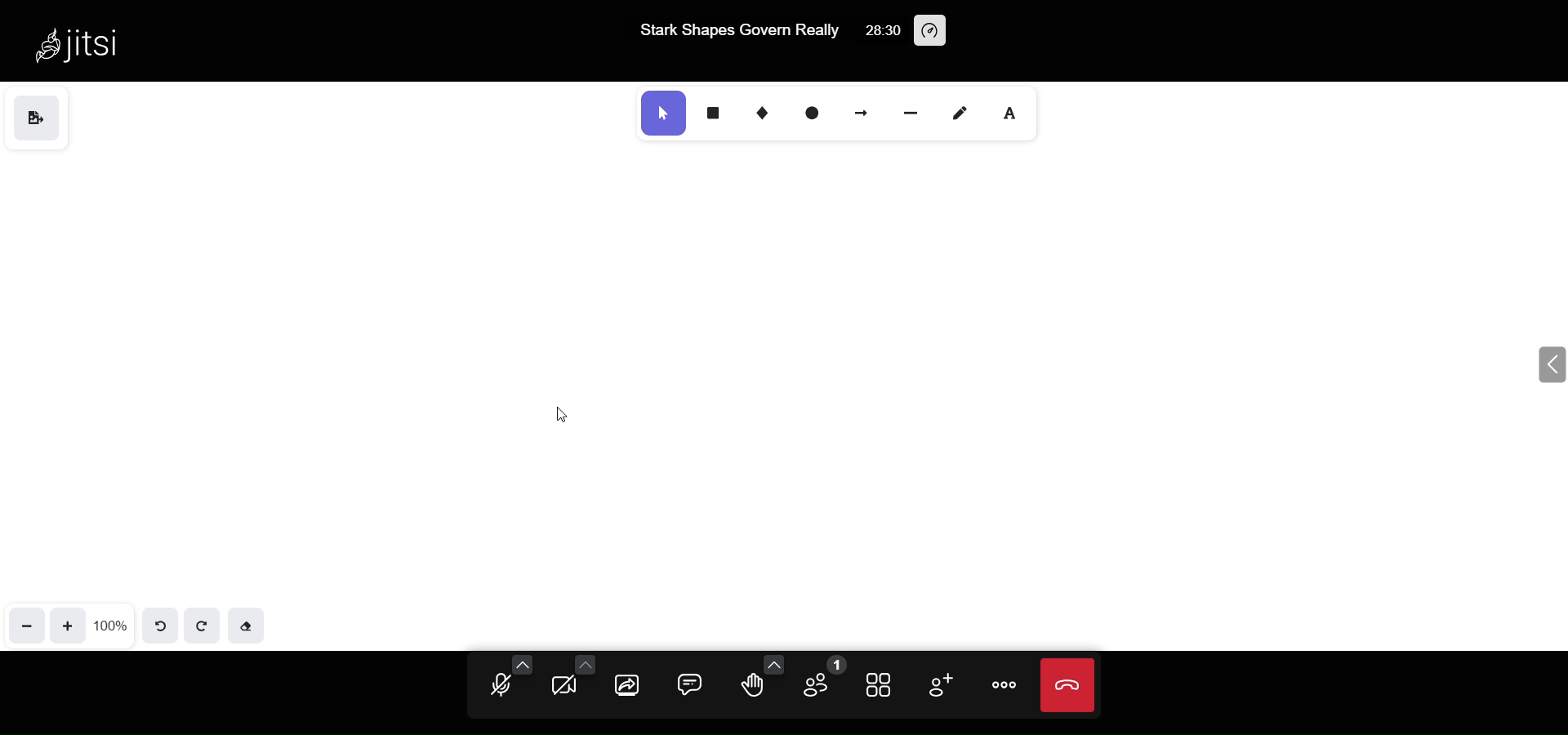 This screenshot has width=1568, height=735. What do you see at coordinates (629, 687) in the screenshot?
I see `screen share` at bounding box center [629, 687].